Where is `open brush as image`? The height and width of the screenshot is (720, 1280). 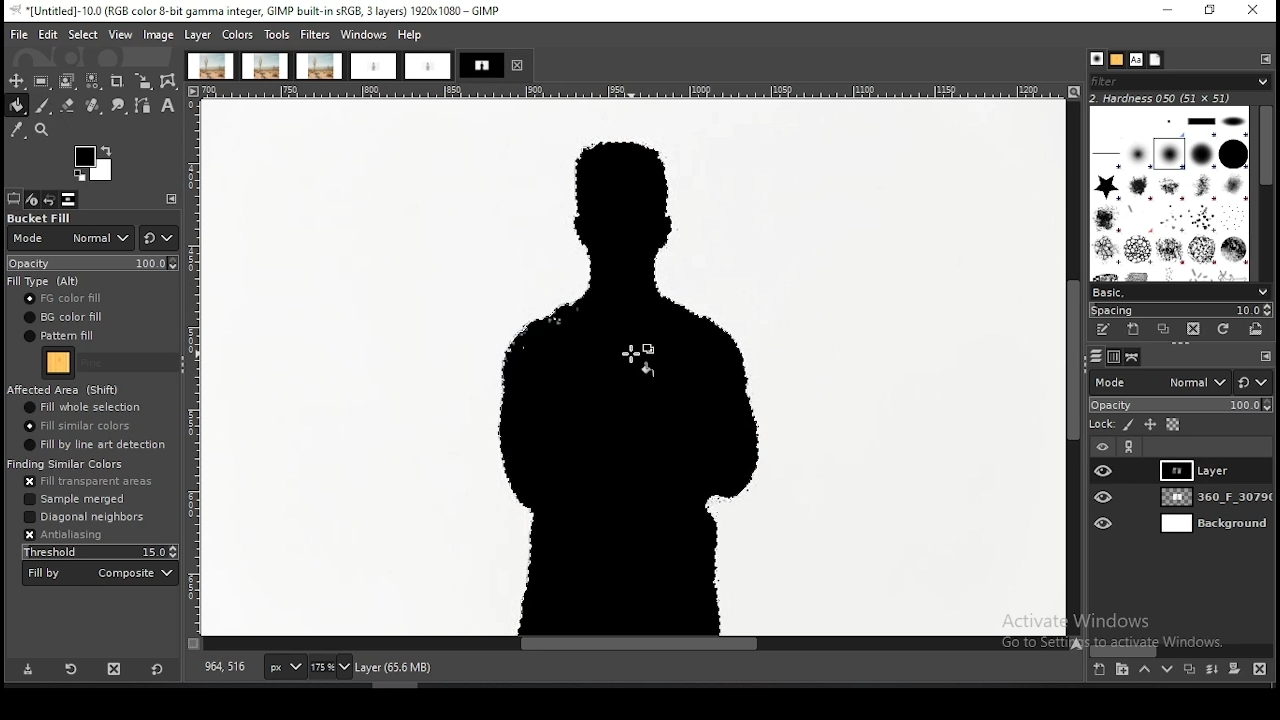 open brush as image is located at coordinates (1255, 329).